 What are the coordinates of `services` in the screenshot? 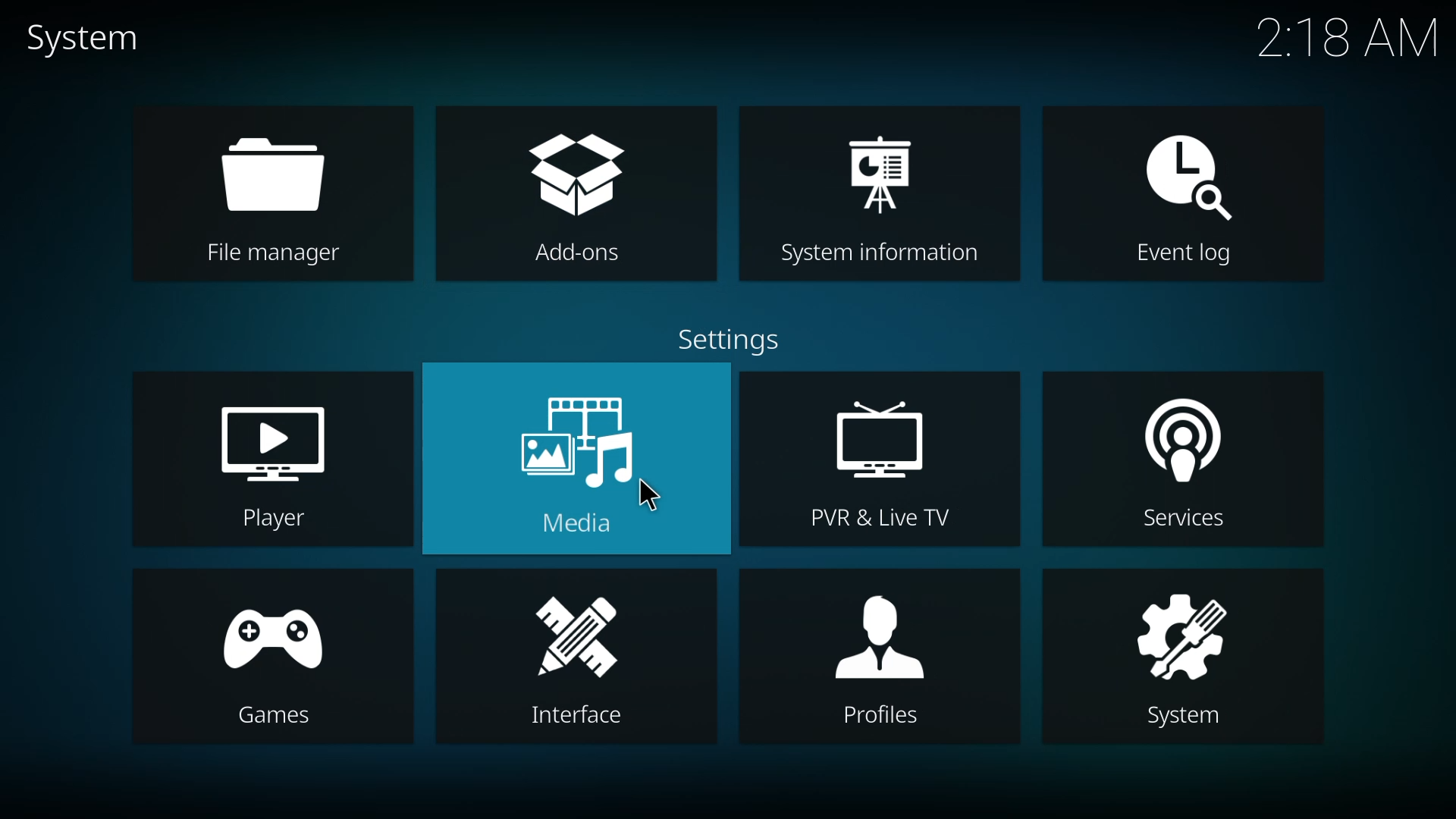 It's located at (1180, 463).